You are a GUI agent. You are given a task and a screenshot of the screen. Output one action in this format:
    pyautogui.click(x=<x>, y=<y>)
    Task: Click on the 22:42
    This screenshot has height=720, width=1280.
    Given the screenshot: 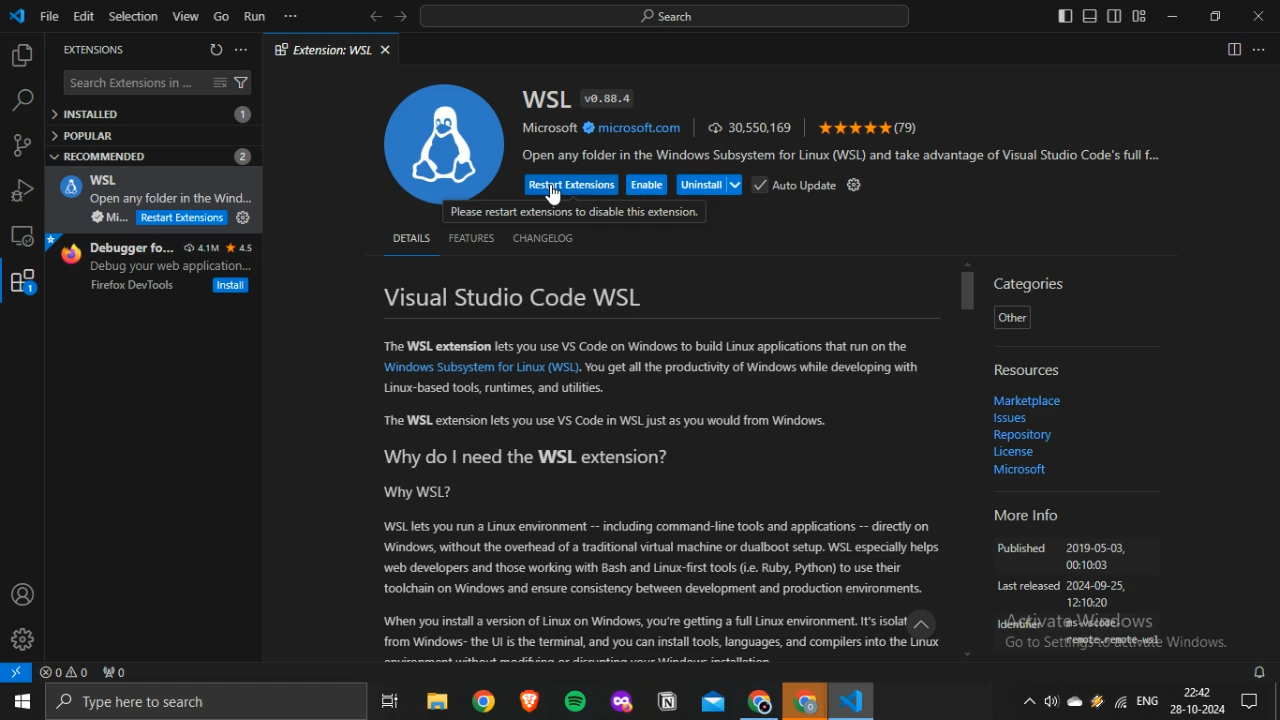 What is the action you would take?
    pyautogui.click(x=1196, y=690)
    